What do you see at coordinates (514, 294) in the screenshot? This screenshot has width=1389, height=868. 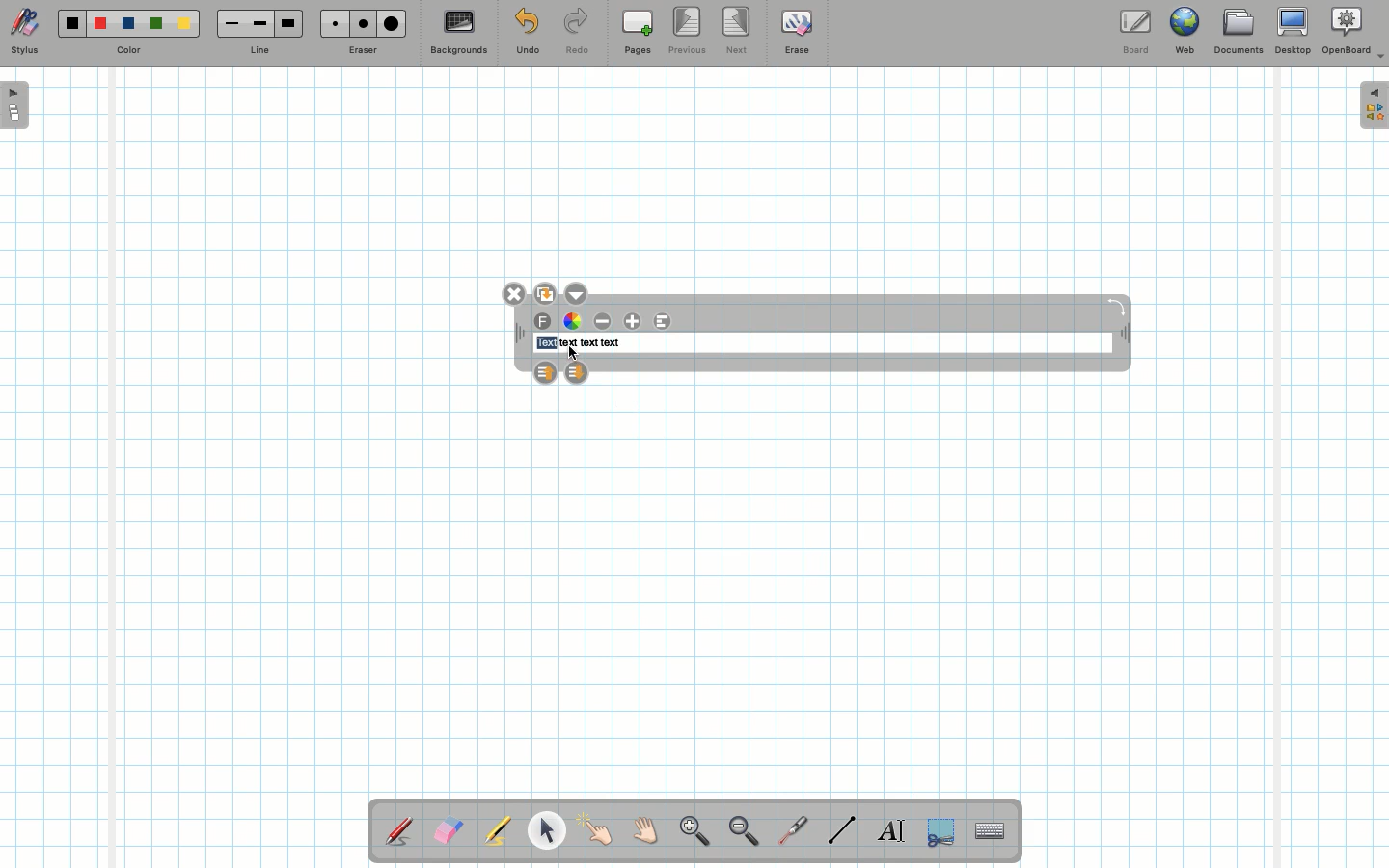 I see `Close` at bounding box center [514, 294].